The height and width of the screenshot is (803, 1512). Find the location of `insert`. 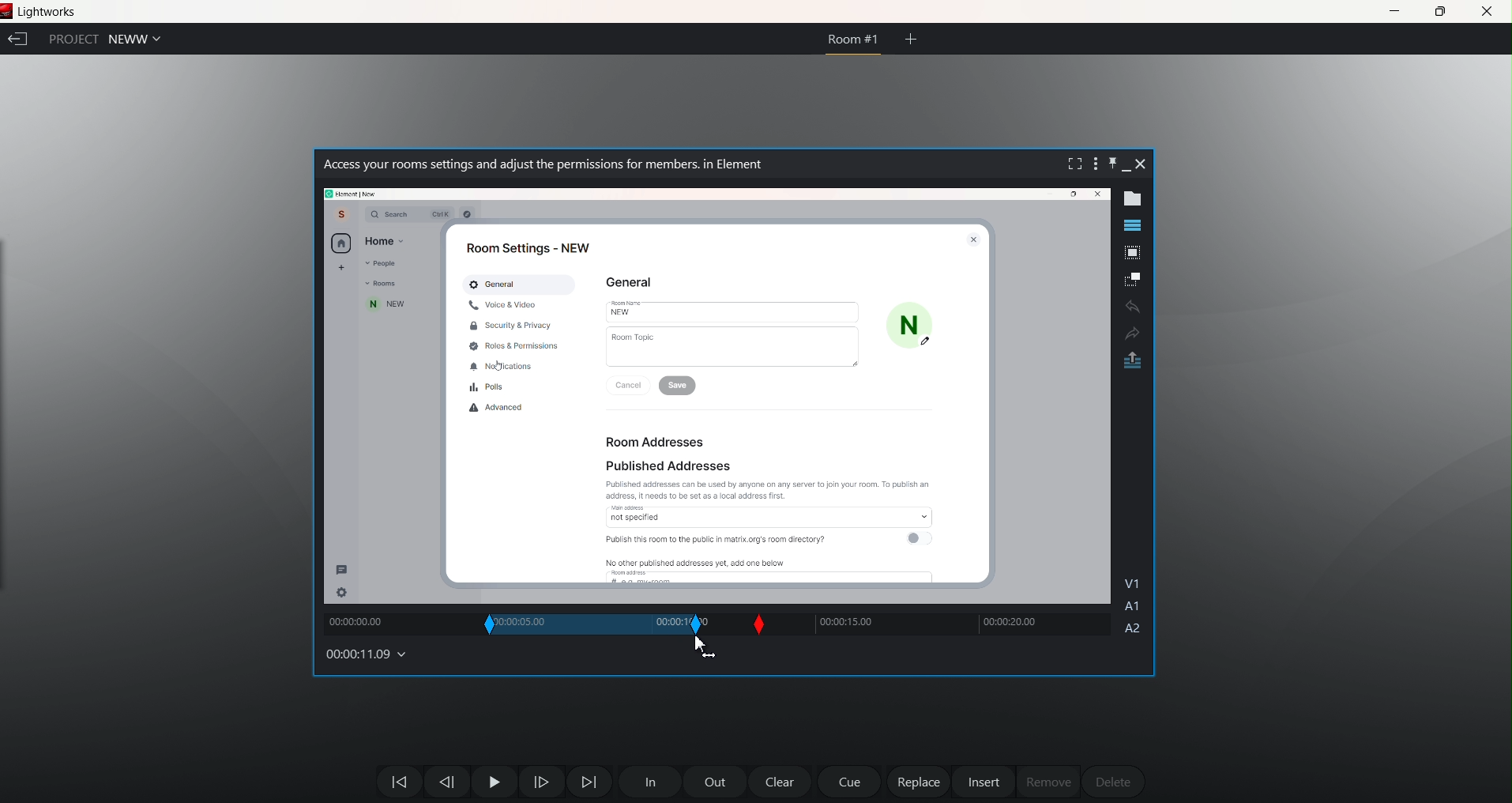

insert is located at coordinates (985, 782).